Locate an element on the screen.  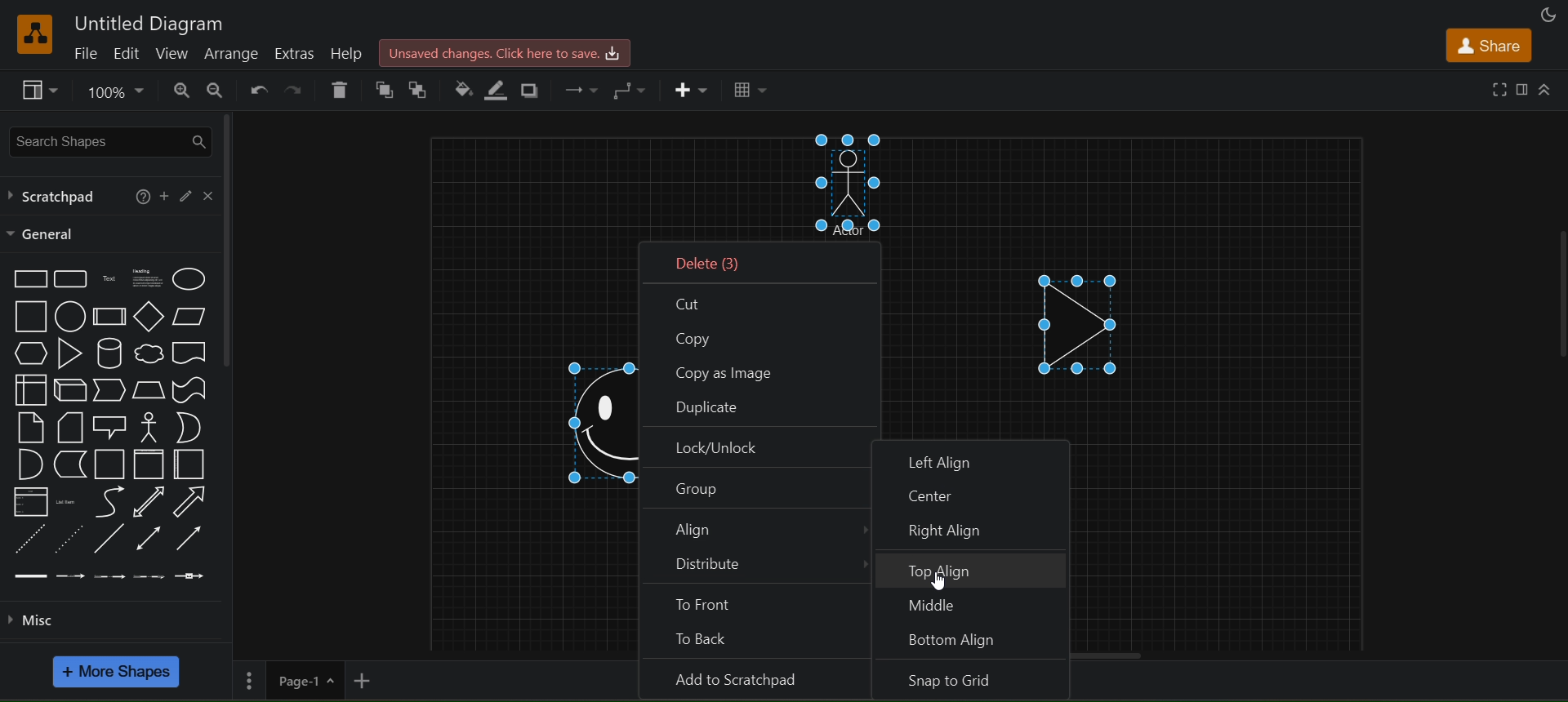
dotted line is located at coordinates (69, 540).